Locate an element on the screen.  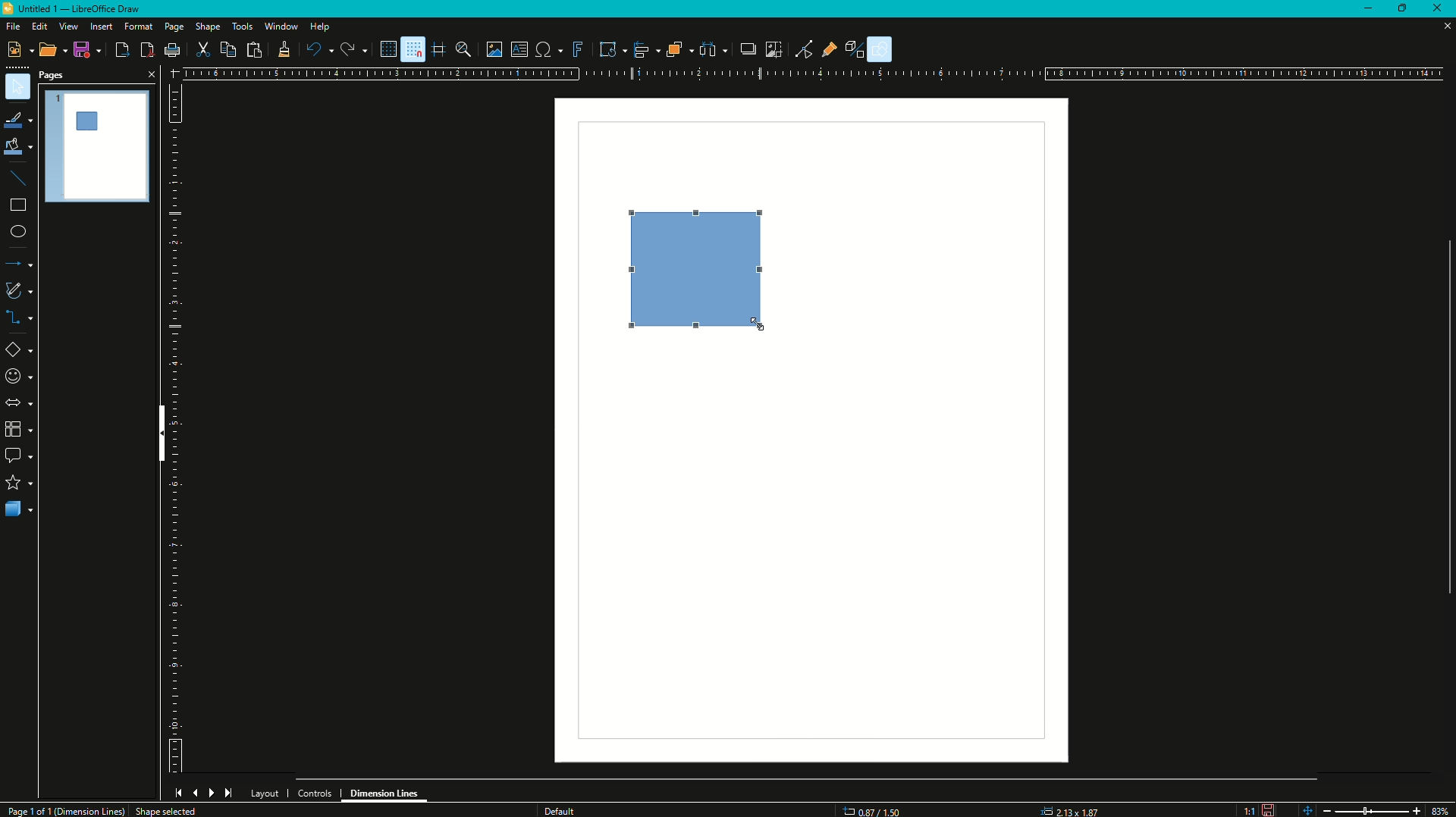
Insert is located at coordinates (100, 27).